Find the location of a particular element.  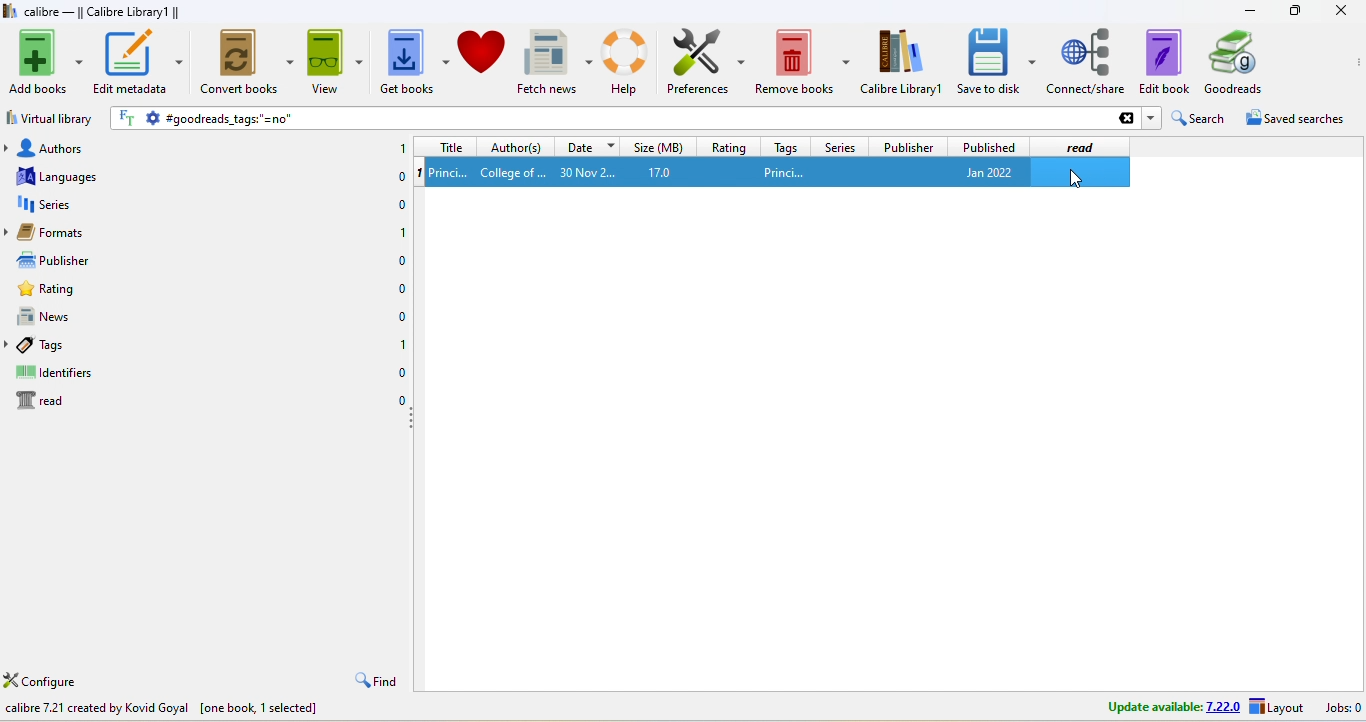

calibre 7.21 created by Kovid Goyal [one book, 1 selected] is located at coordinates (161, 709).